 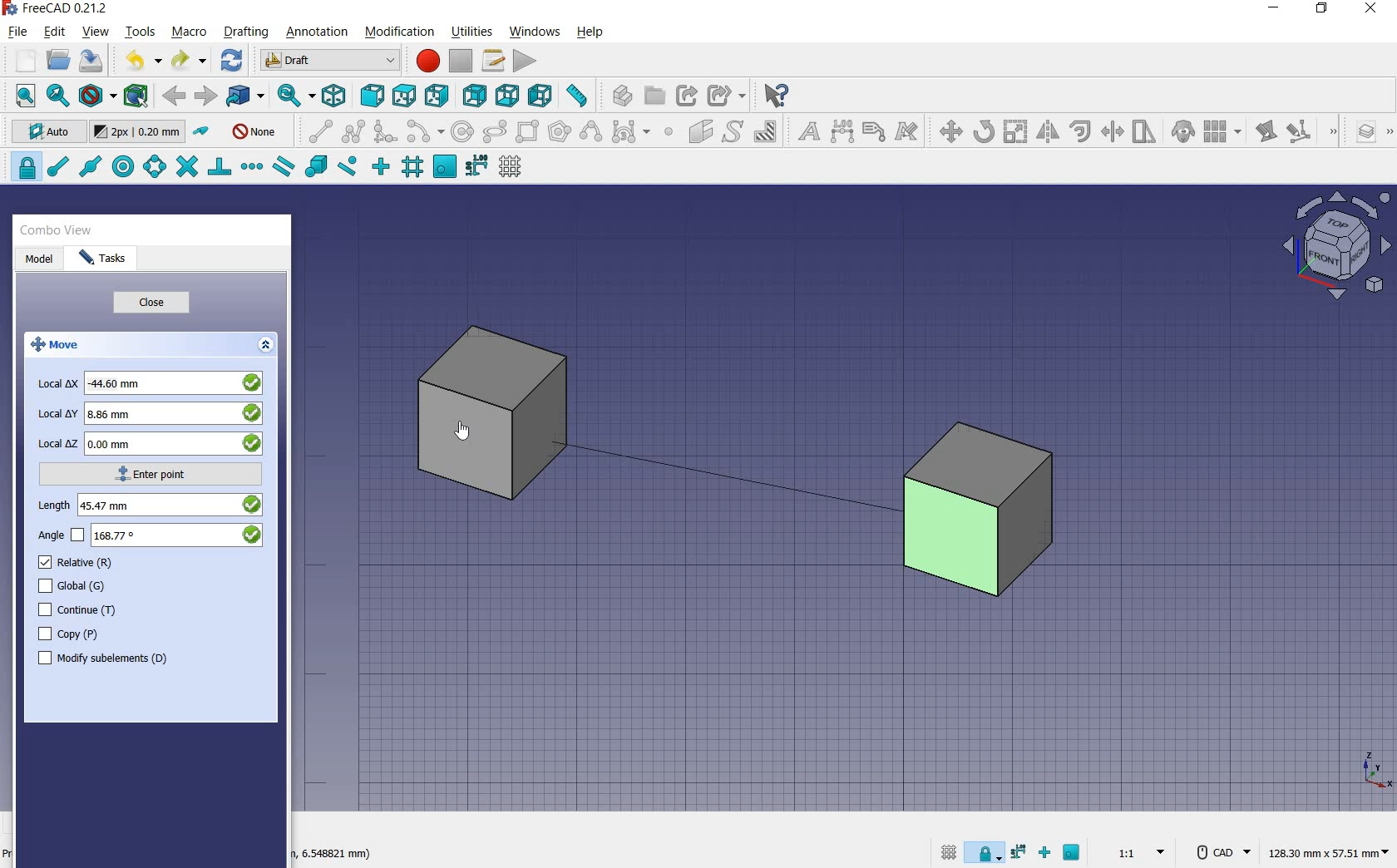 I want to click on angle, so click(x=151, y=535).